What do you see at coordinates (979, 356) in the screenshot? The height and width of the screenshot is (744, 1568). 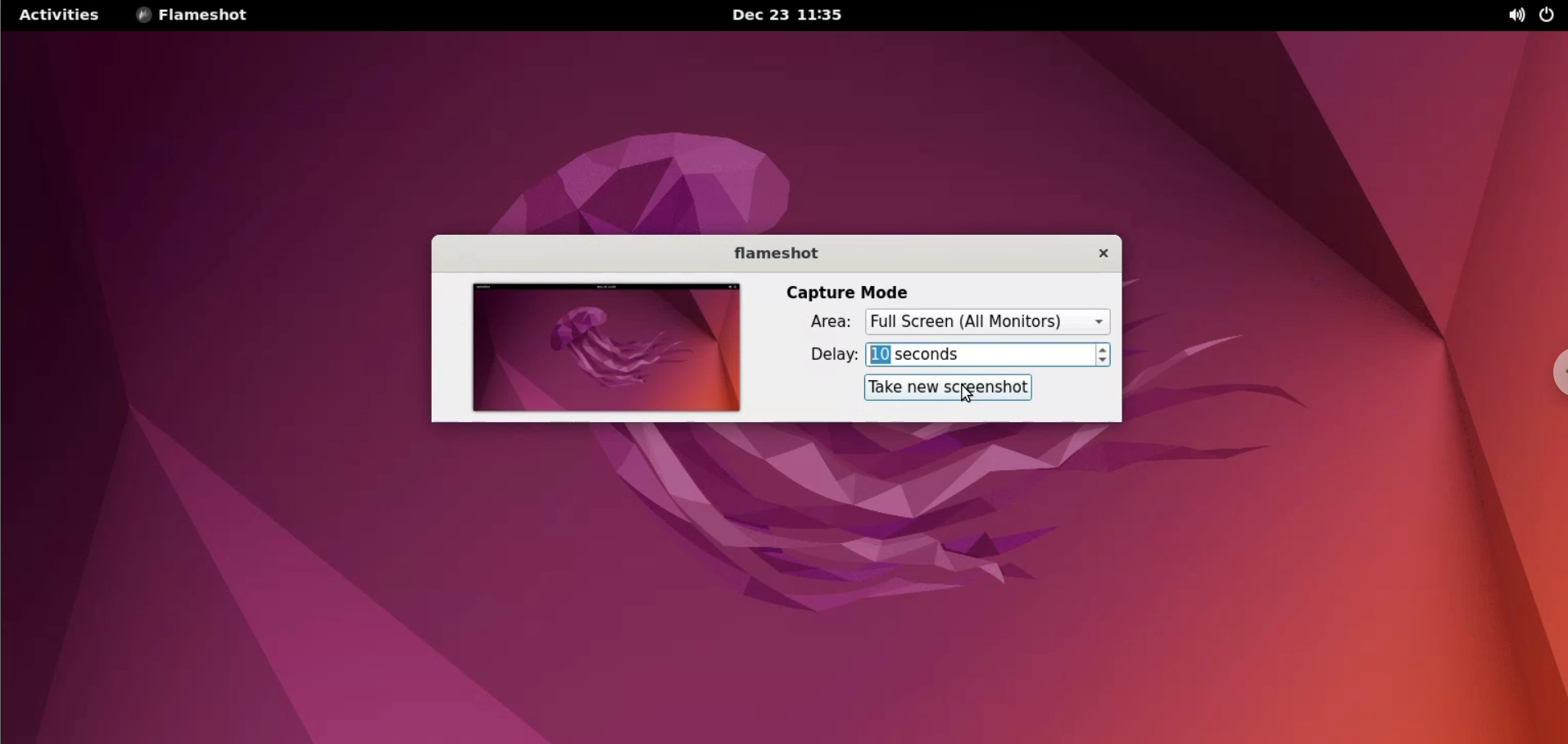 I see `10 seconds` at bounding box center [979, 356].